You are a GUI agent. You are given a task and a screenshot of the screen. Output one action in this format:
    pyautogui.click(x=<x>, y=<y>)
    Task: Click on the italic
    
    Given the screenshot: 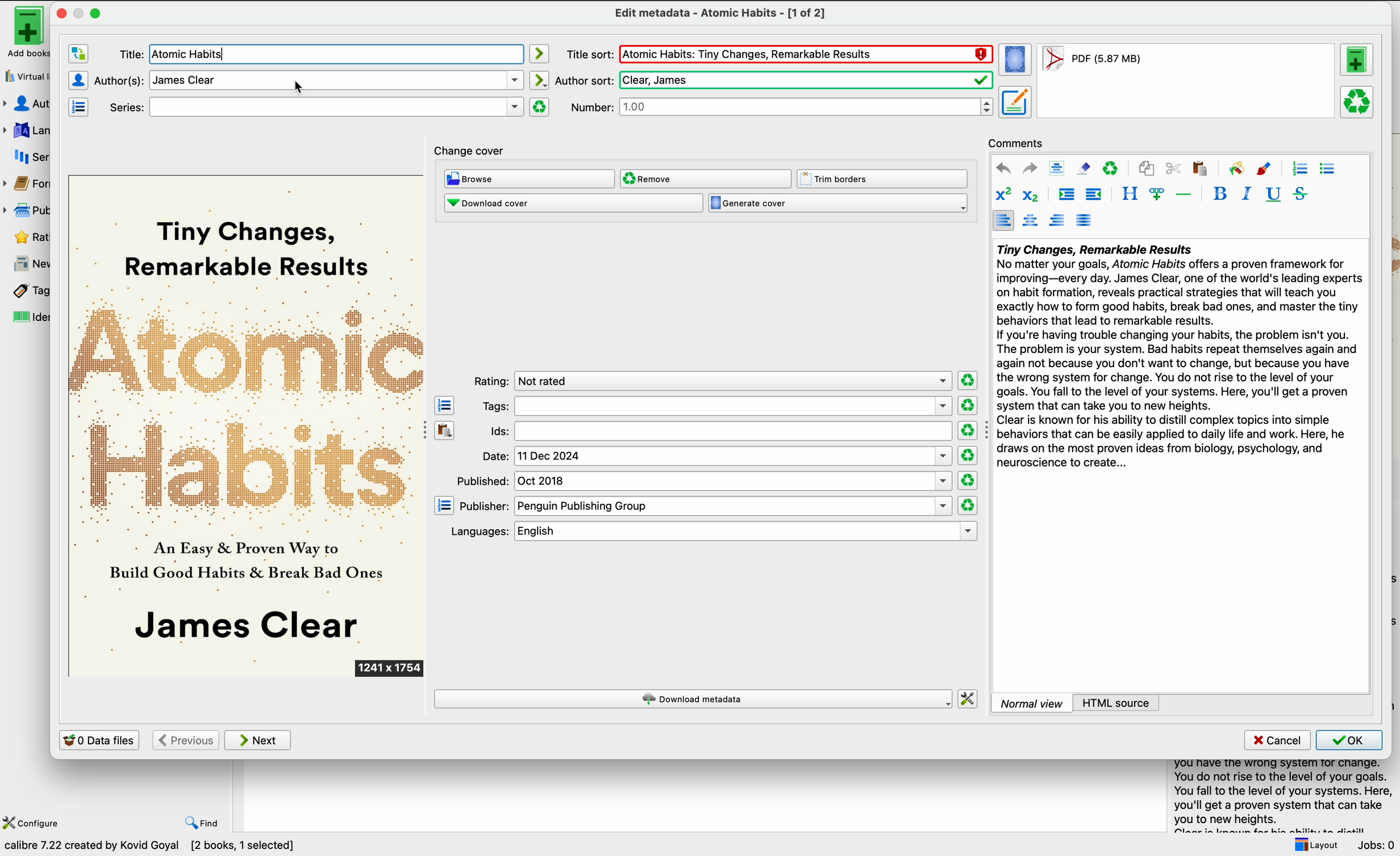 What is the action you would take?
    pyautogui.click(x=1247, y=194)
    